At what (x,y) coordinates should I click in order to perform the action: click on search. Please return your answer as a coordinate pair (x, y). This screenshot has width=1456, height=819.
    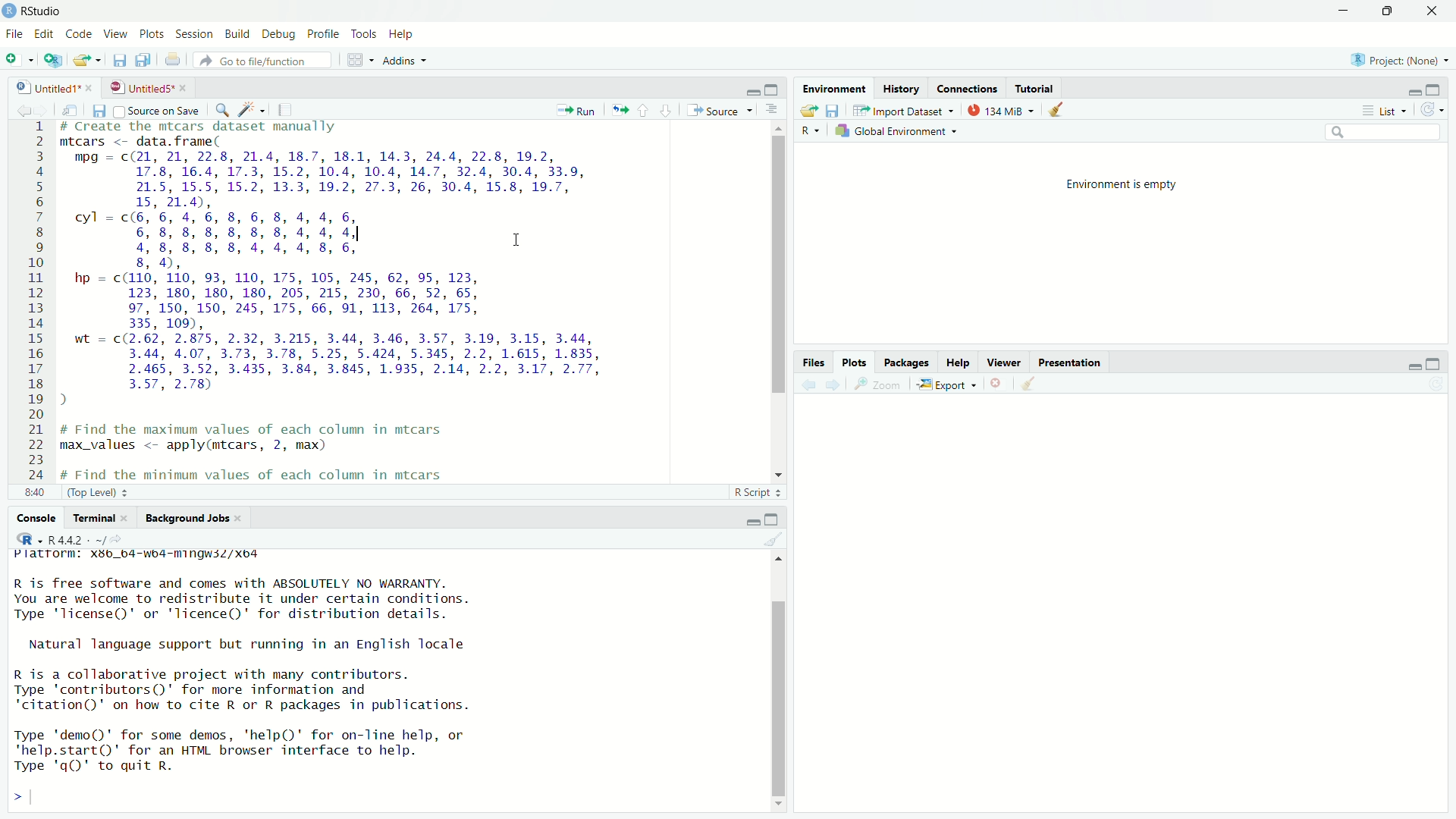
    Looking at the image, I should click on (223, 111).